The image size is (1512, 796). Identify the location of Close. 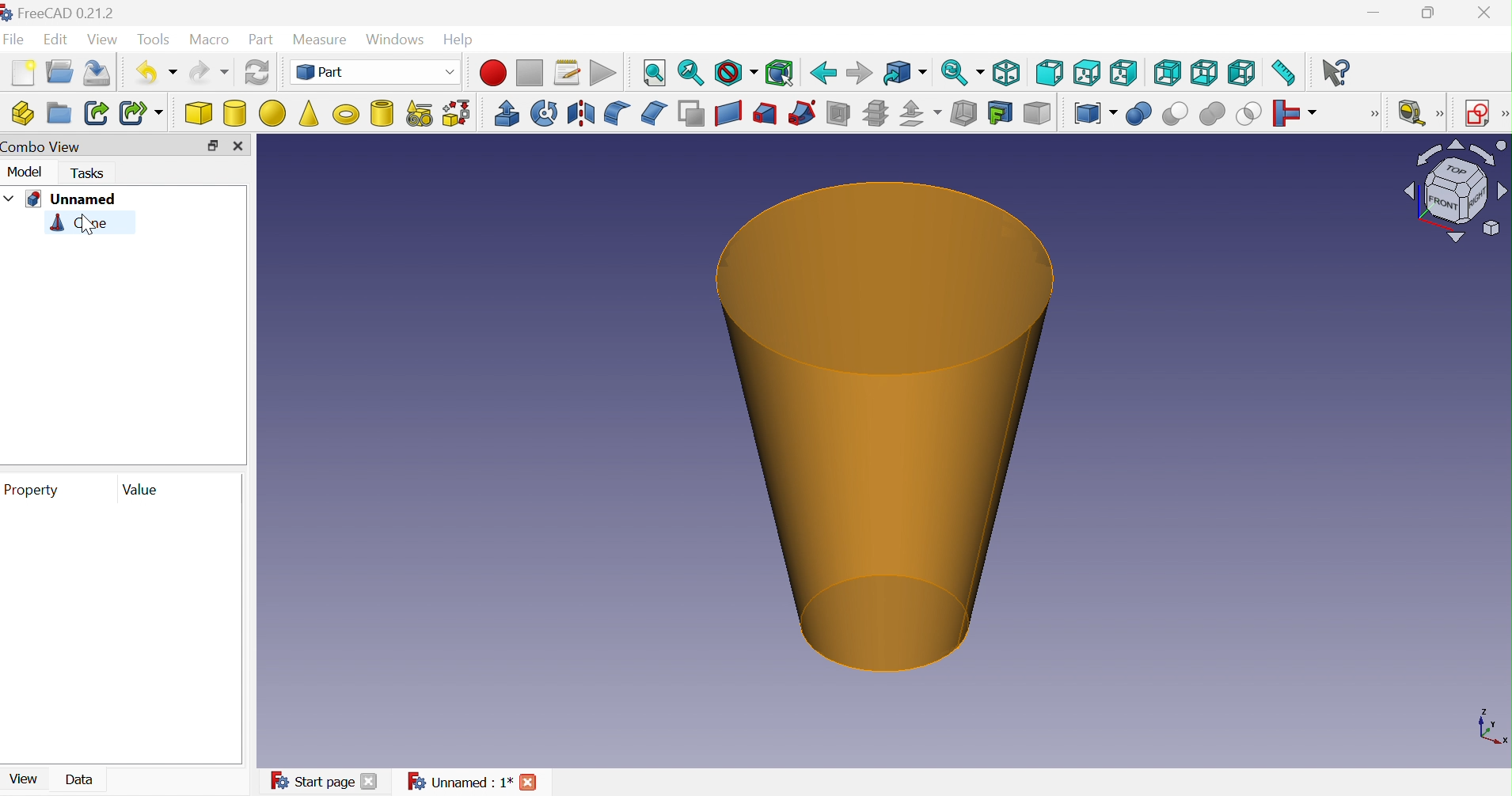
(530, 780).